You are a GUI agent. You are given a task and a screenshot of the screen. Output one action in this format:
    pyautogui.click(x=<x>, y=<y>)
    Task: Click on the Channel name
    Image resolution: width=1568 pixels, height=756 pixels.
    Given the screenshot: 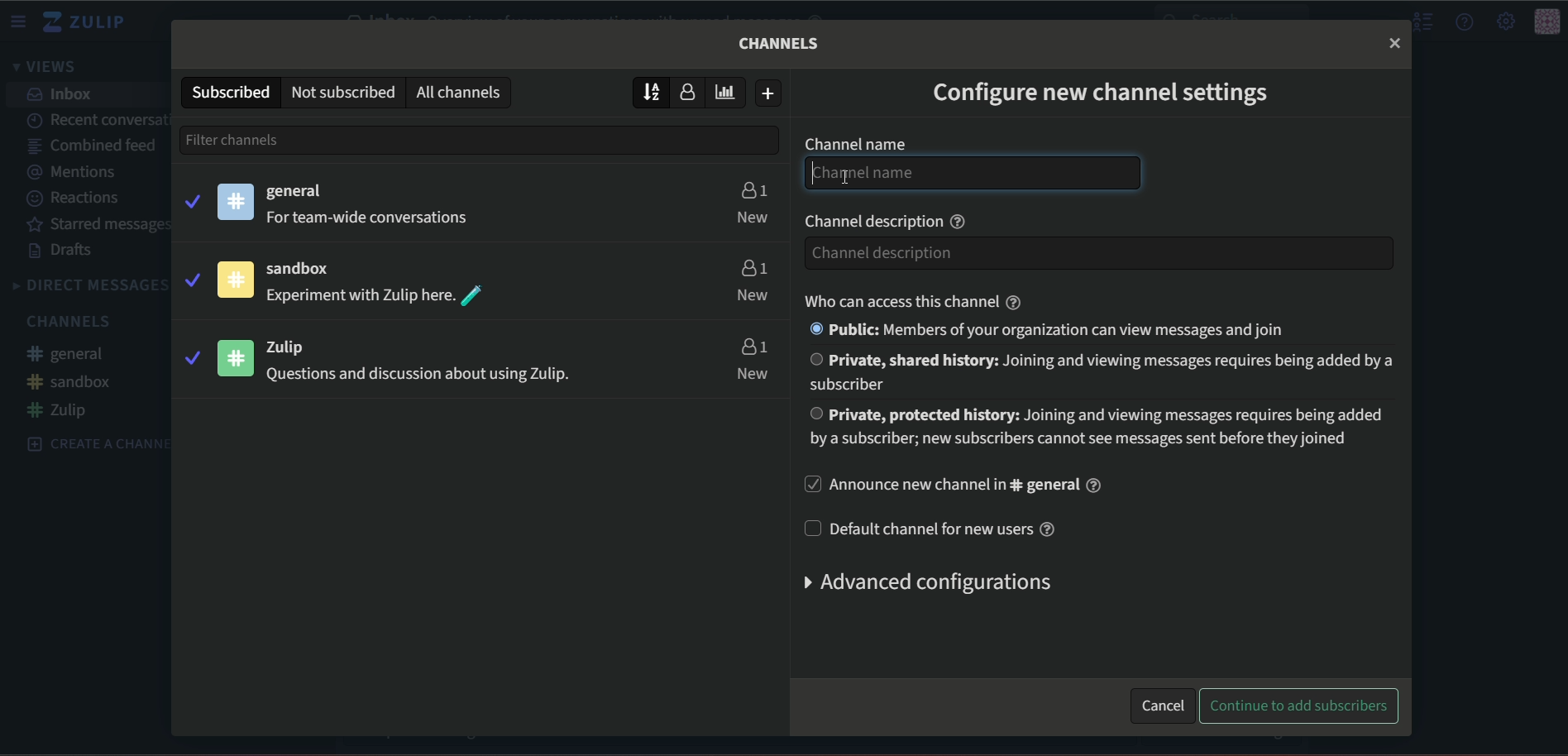 What is the action you would take?
    pyautogui.click(x=854, y=144)
    